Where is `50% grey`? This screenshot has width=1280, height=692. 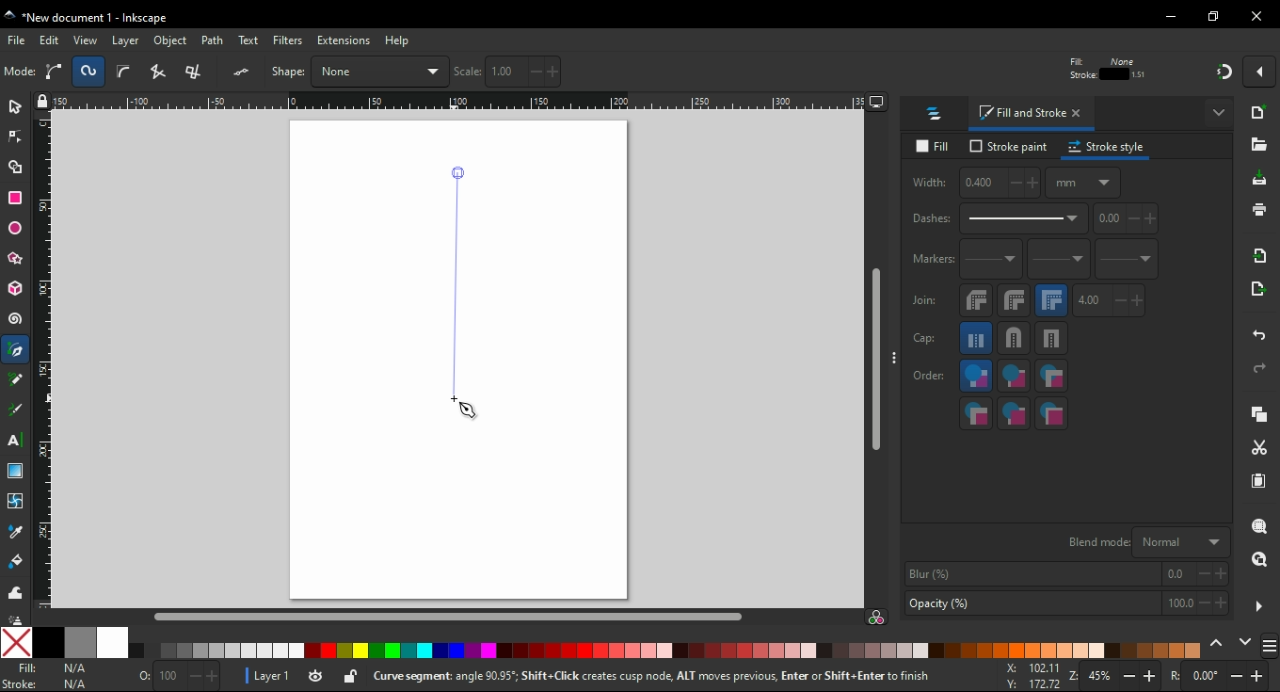
50% grey is located at coordinates (79, 642).